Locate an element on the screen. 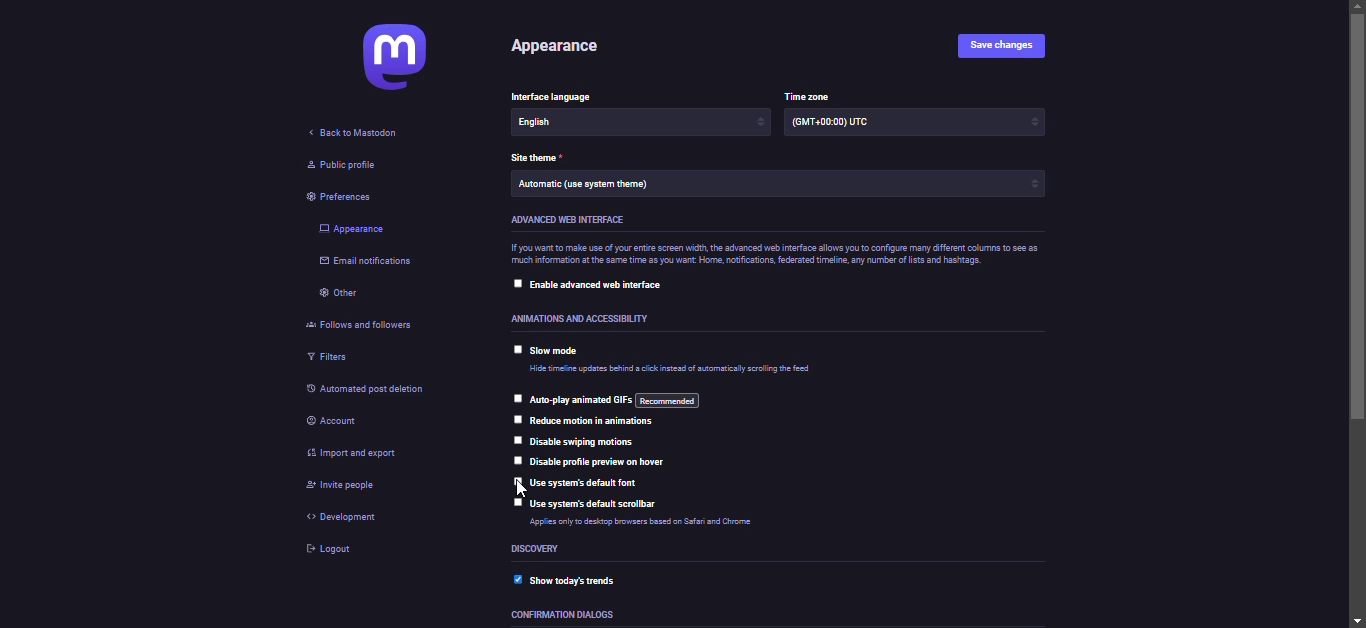 This screenshot has height=628, width=1366. language is located at coordinates (567, 124).